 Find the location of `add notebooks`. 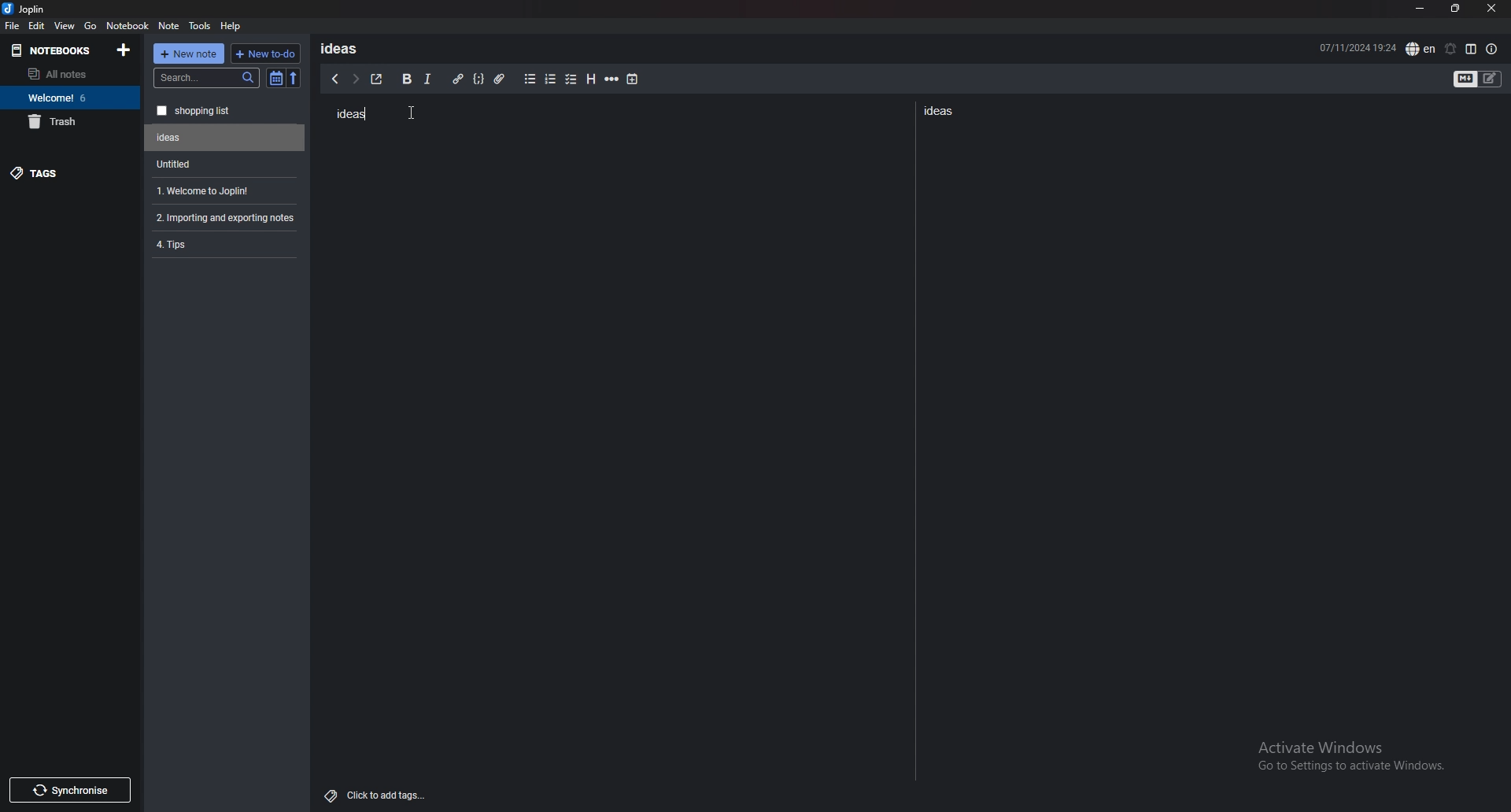

add notebooks is located at coordinates (124, 49).